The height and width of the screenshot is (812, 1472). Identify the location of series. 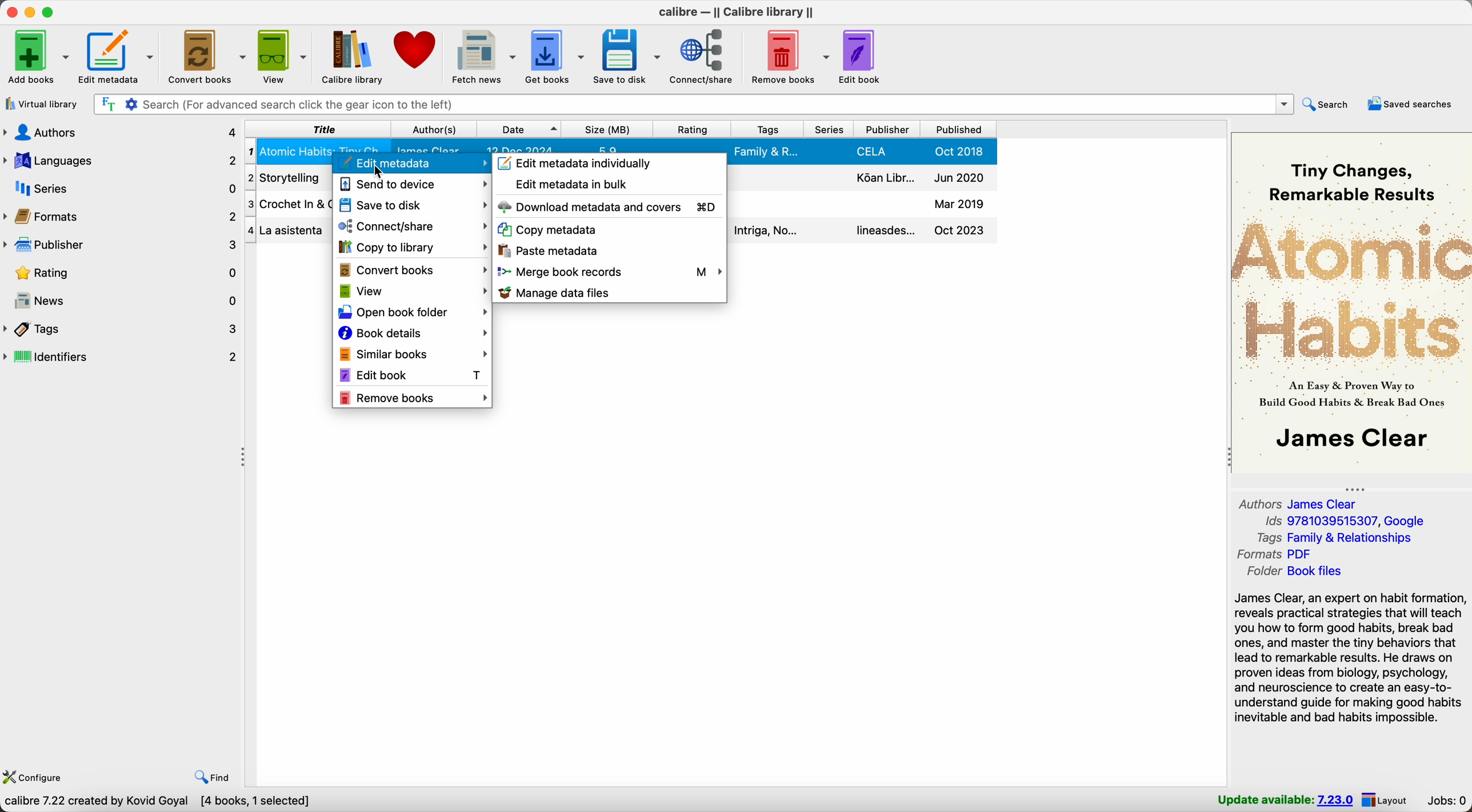
(122, 189).